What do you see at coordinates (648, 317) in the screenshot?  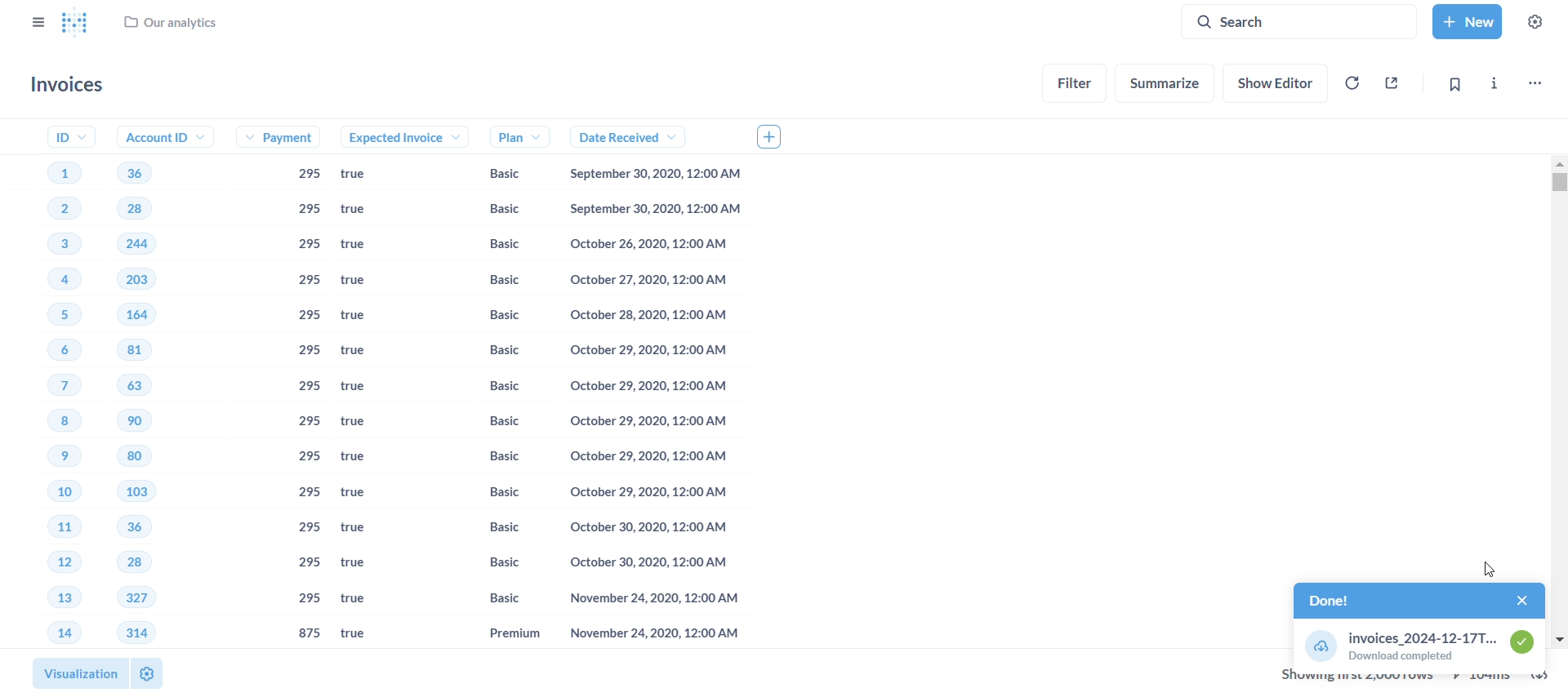 I see `October 28, 2020, 12:00 AM` at bounding box center [648, 317].